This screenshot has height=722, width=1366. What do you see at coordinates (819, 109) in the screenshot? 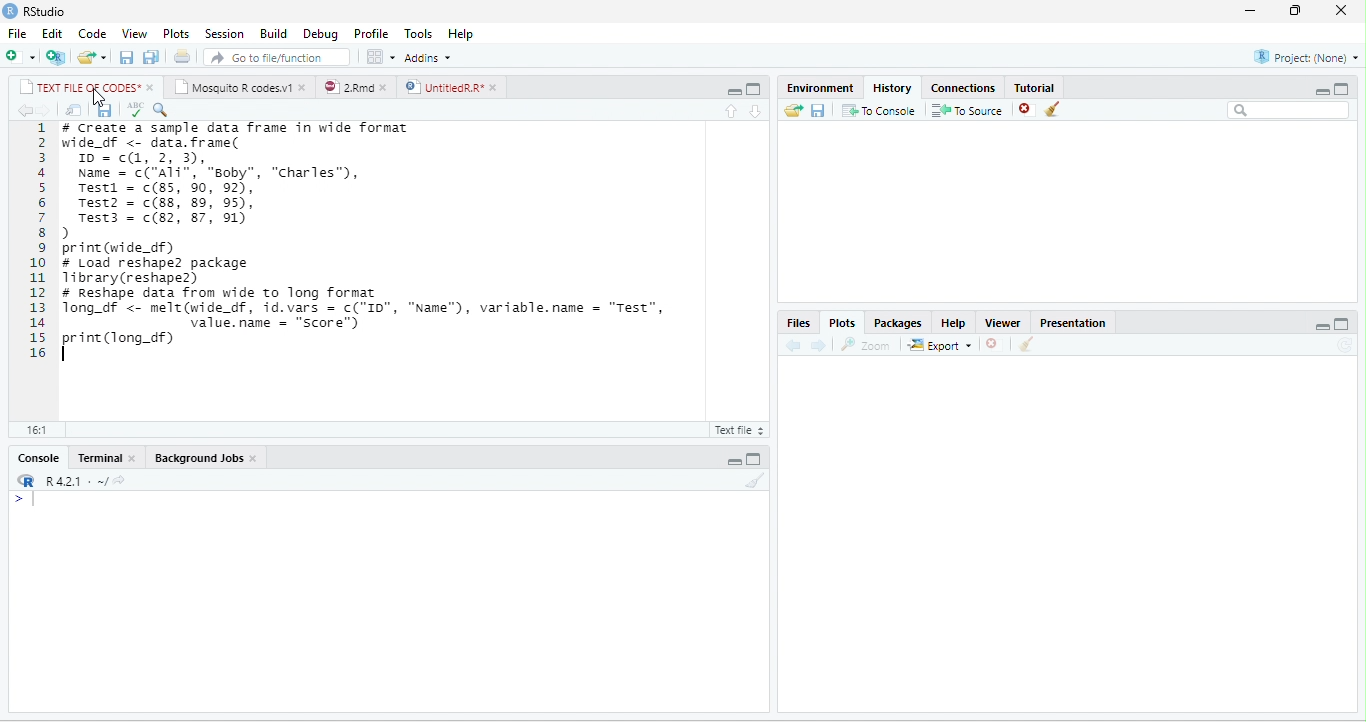
I see `save` at bounding box center [819, 109].